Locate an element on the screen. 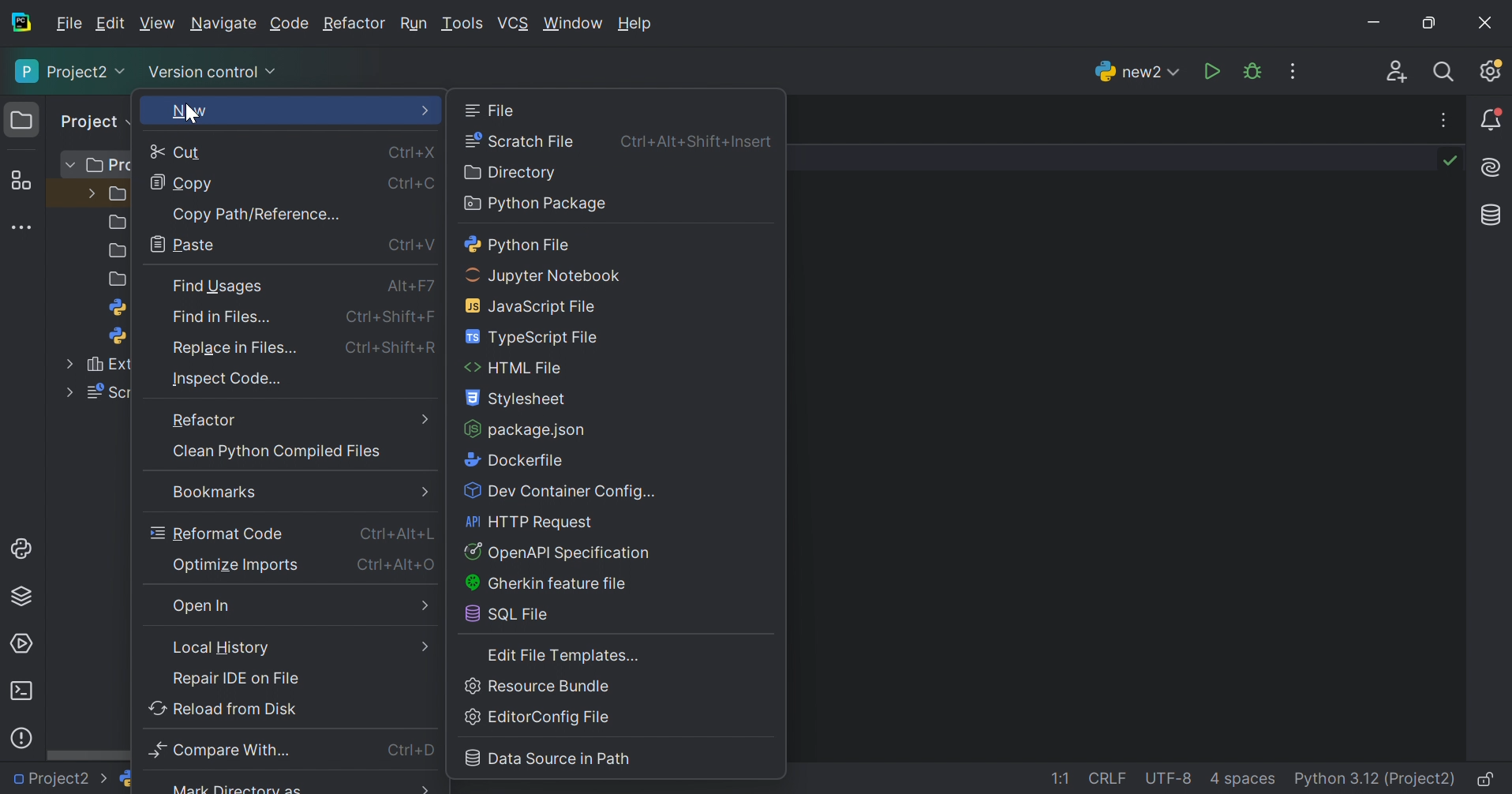 The image size is (1512, 794). Restore down is located at coordinates (1426, 24).